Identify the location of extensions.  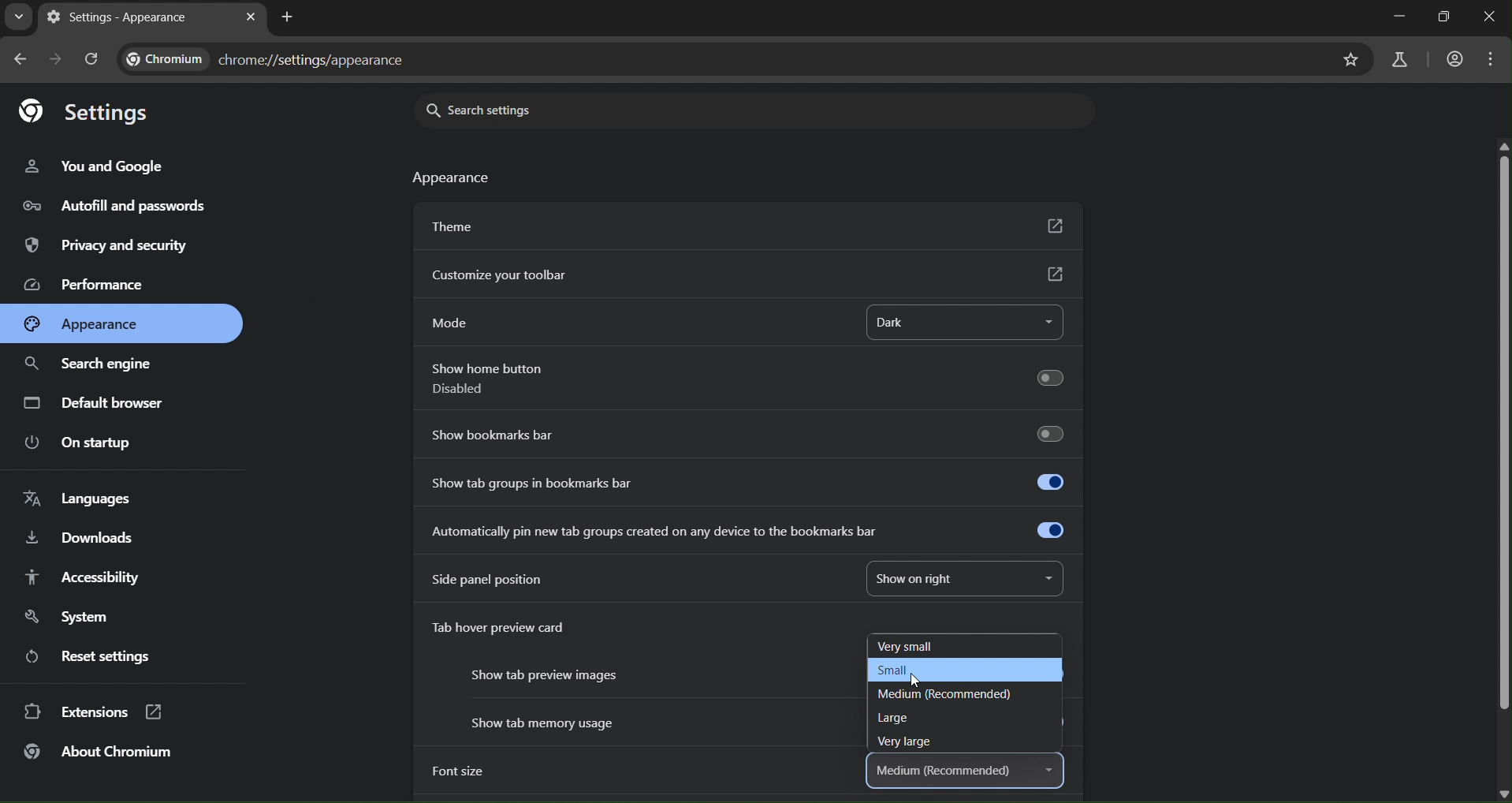
(94, 710).